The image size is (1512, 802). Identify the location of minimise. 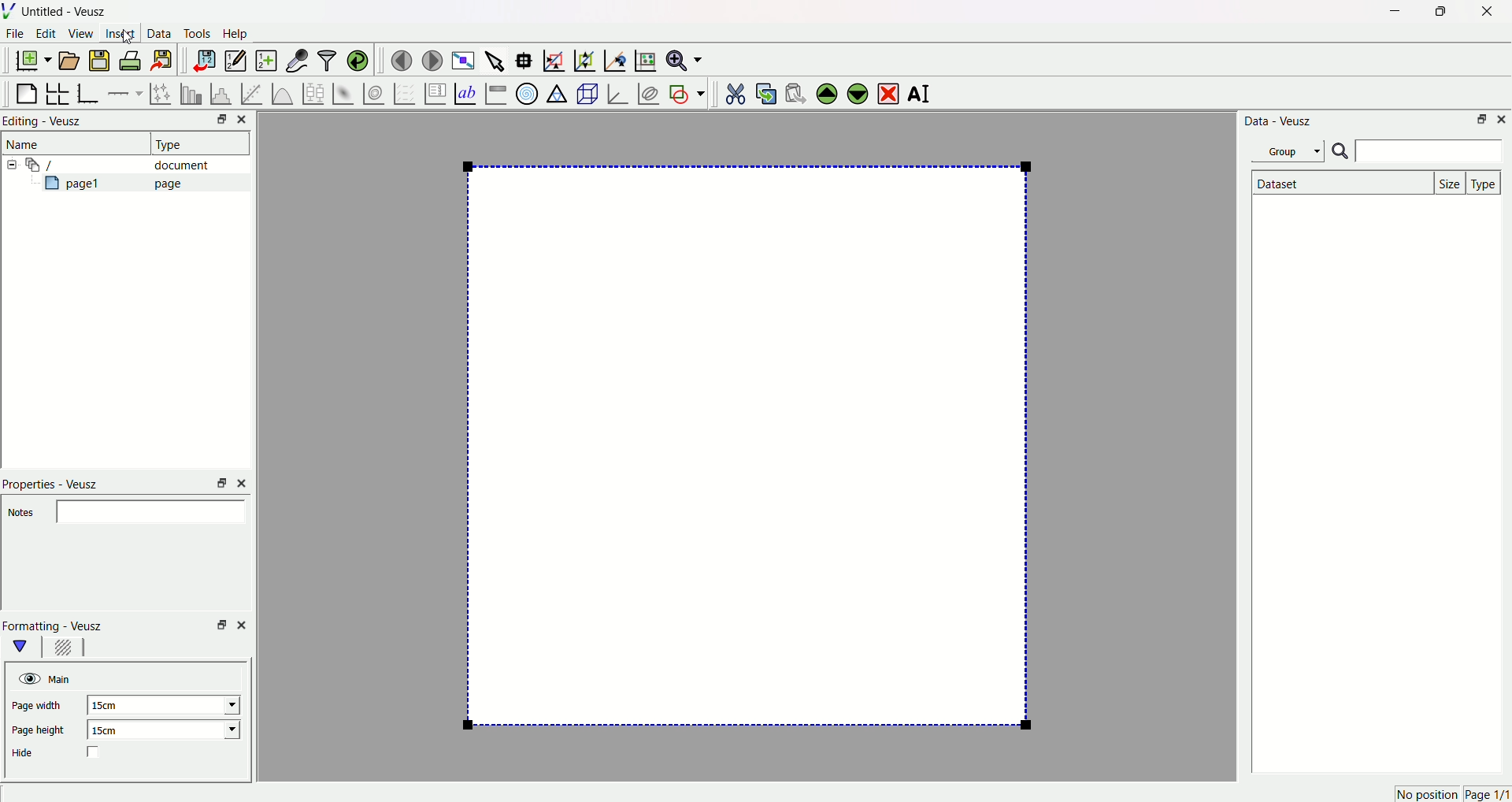
(217, 482).